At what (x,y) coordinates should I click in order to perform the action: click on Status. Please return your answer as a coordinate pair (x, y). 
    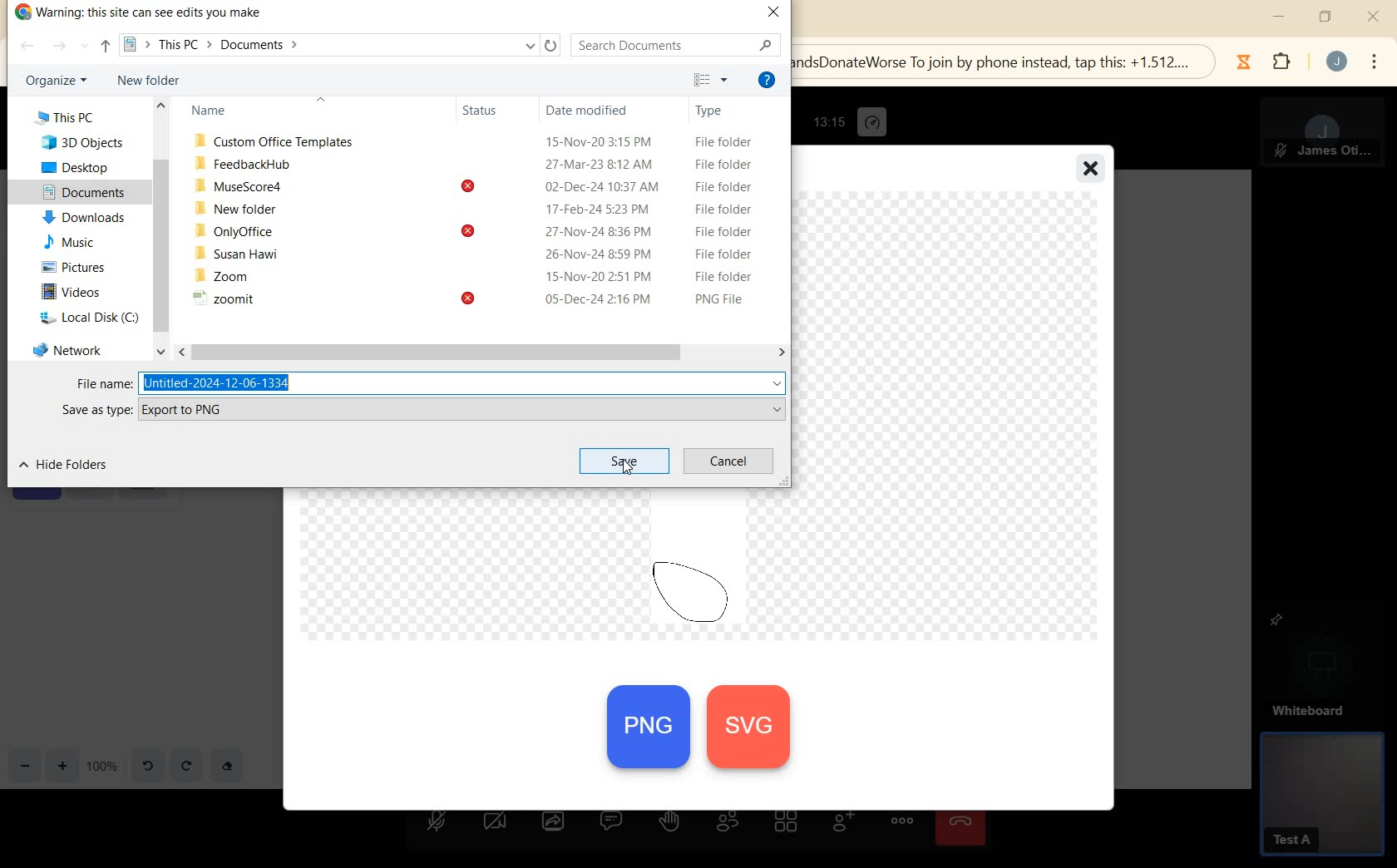
    Looking at the image, I should click on (481, 108).